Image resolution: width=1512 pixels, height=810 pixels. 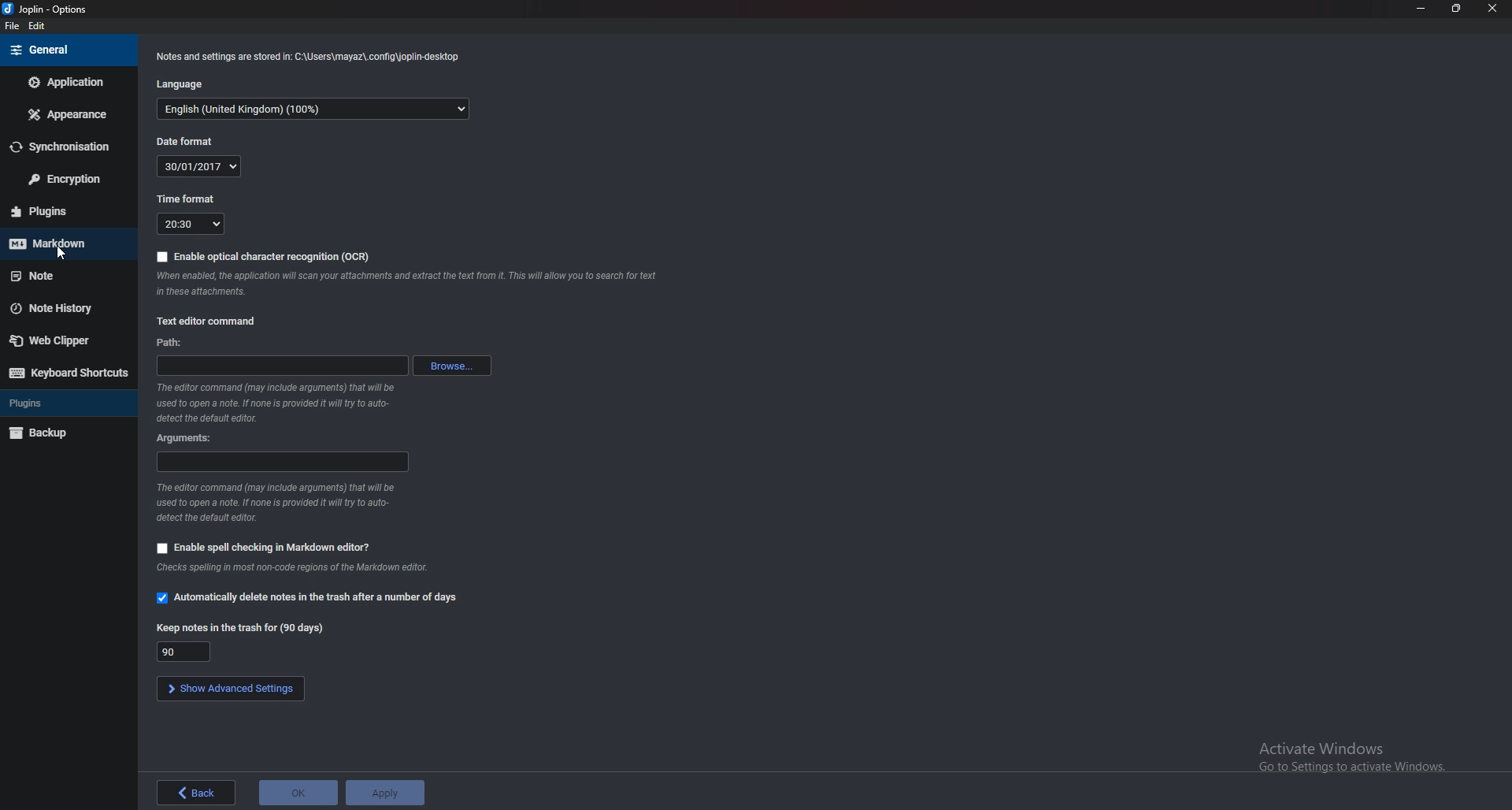 I want to click on Automatically delete notes, so click(x=313, y=596).